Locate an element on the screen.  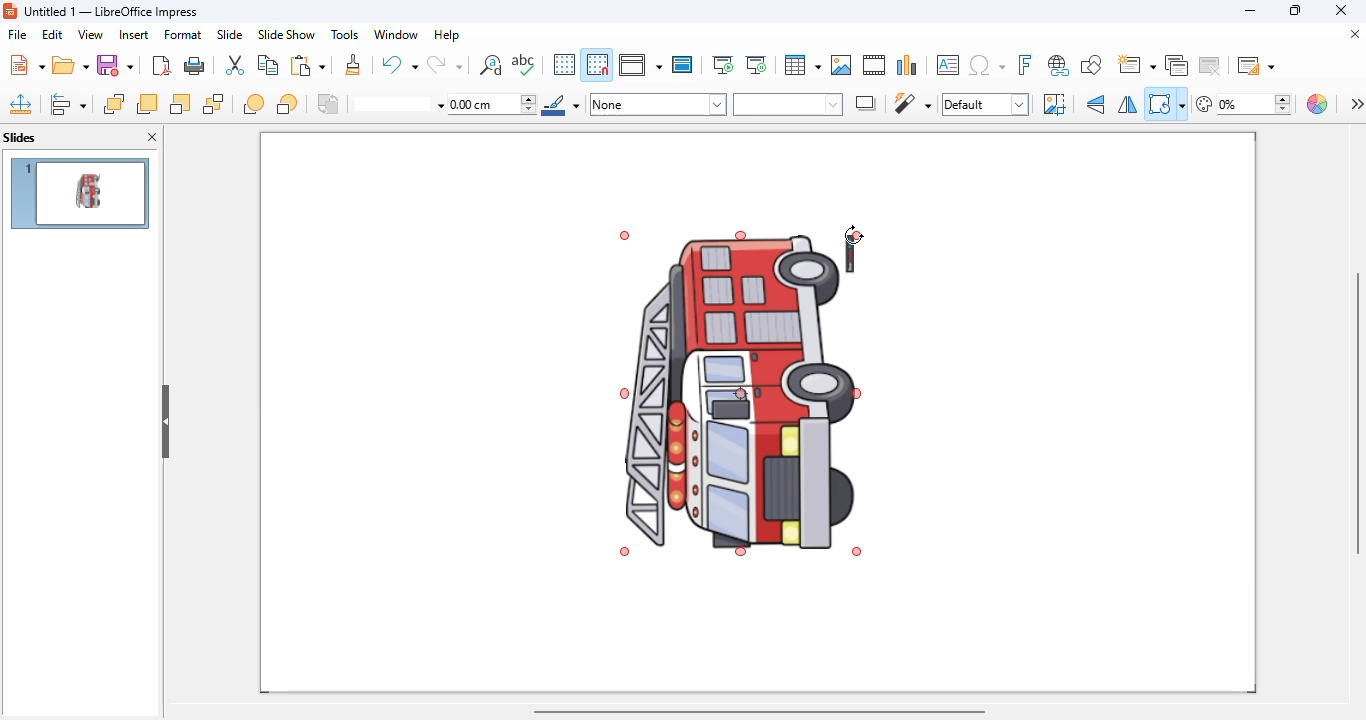
rotate cursor is located at coordinates (853, 234).